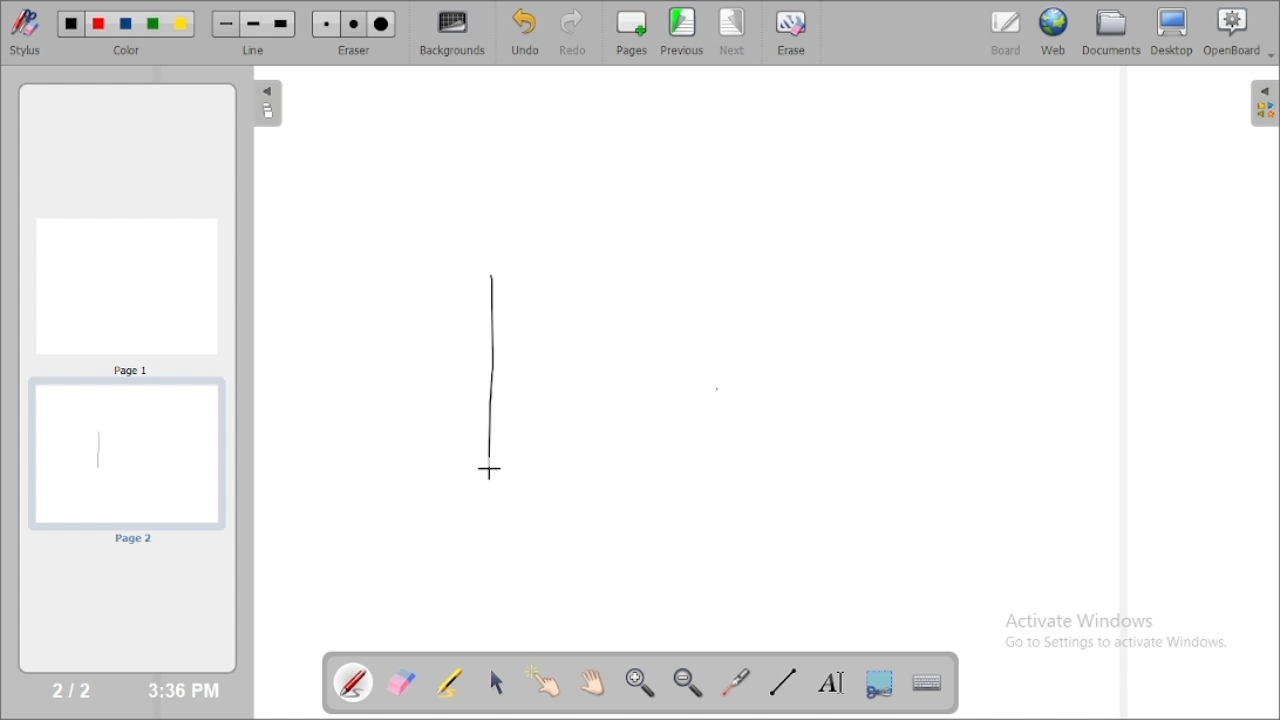 The height and width of the screenshot is (720, 1280). I want to click on desktop, so click(1173, 32).